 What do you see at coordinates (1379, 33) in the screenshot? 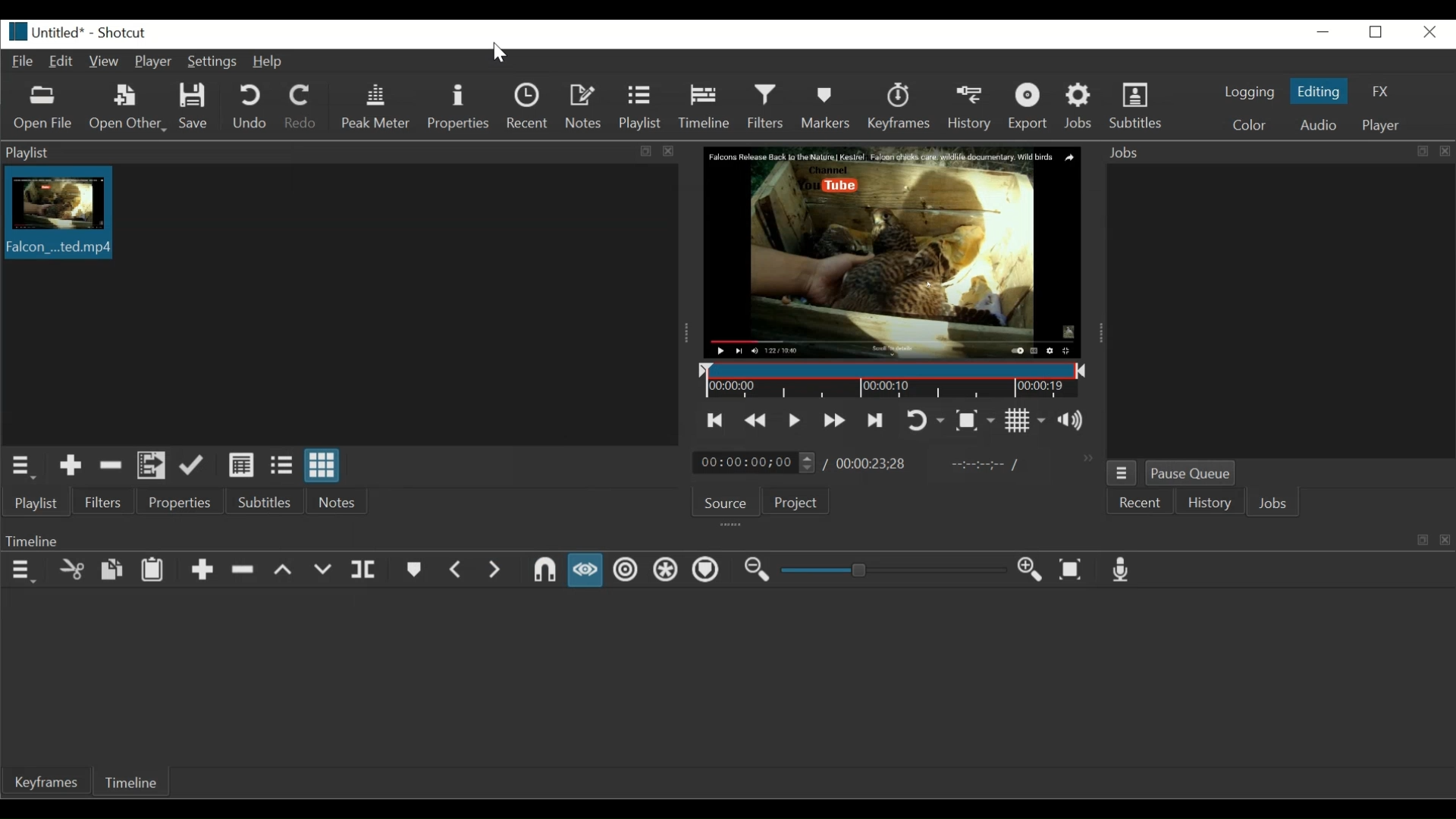
I see `Restore` at bounding box center [1379, 33].